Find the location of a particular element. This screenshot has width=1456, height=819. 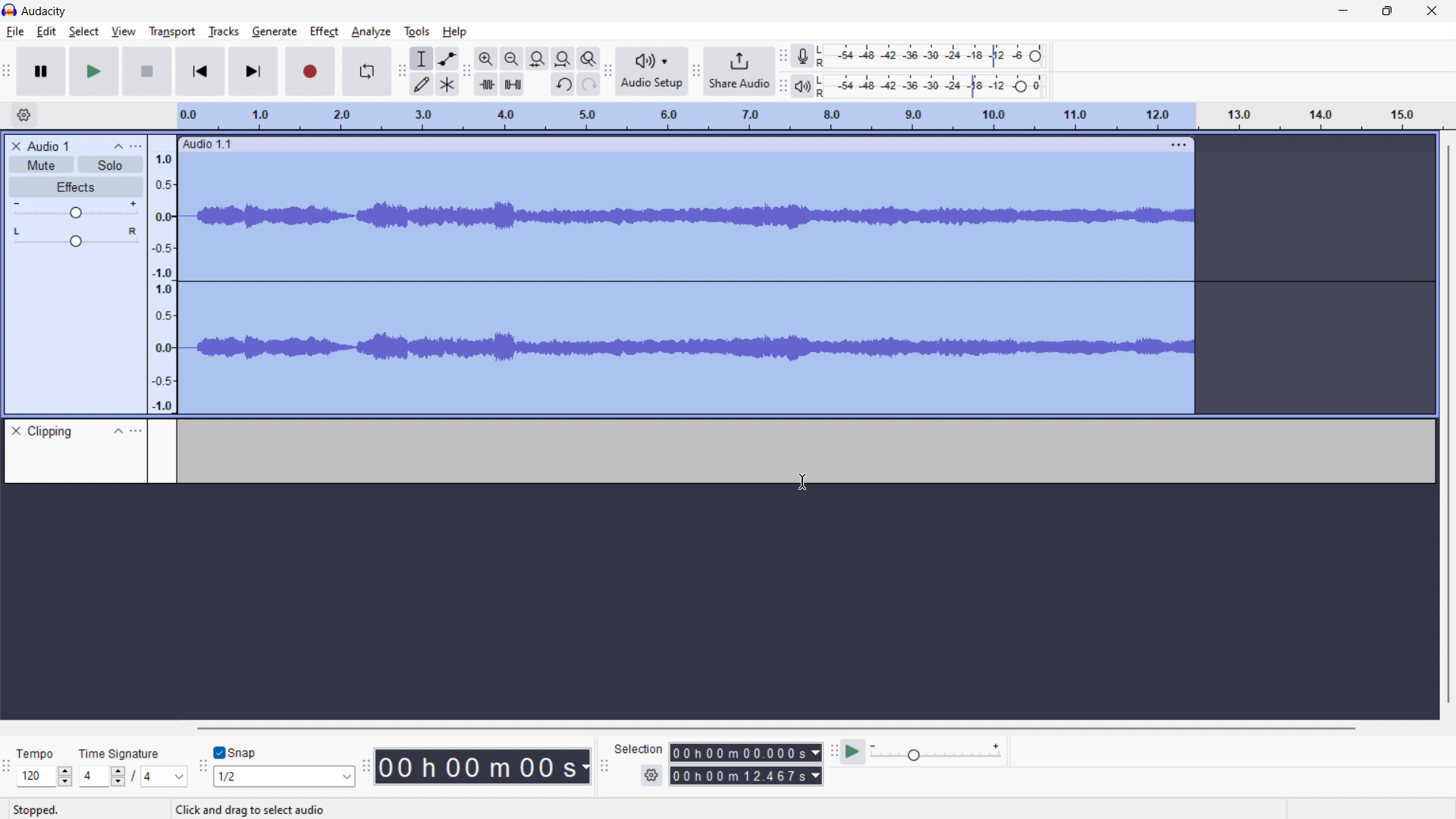

envelop  tool is located at coordinates (447, 58).